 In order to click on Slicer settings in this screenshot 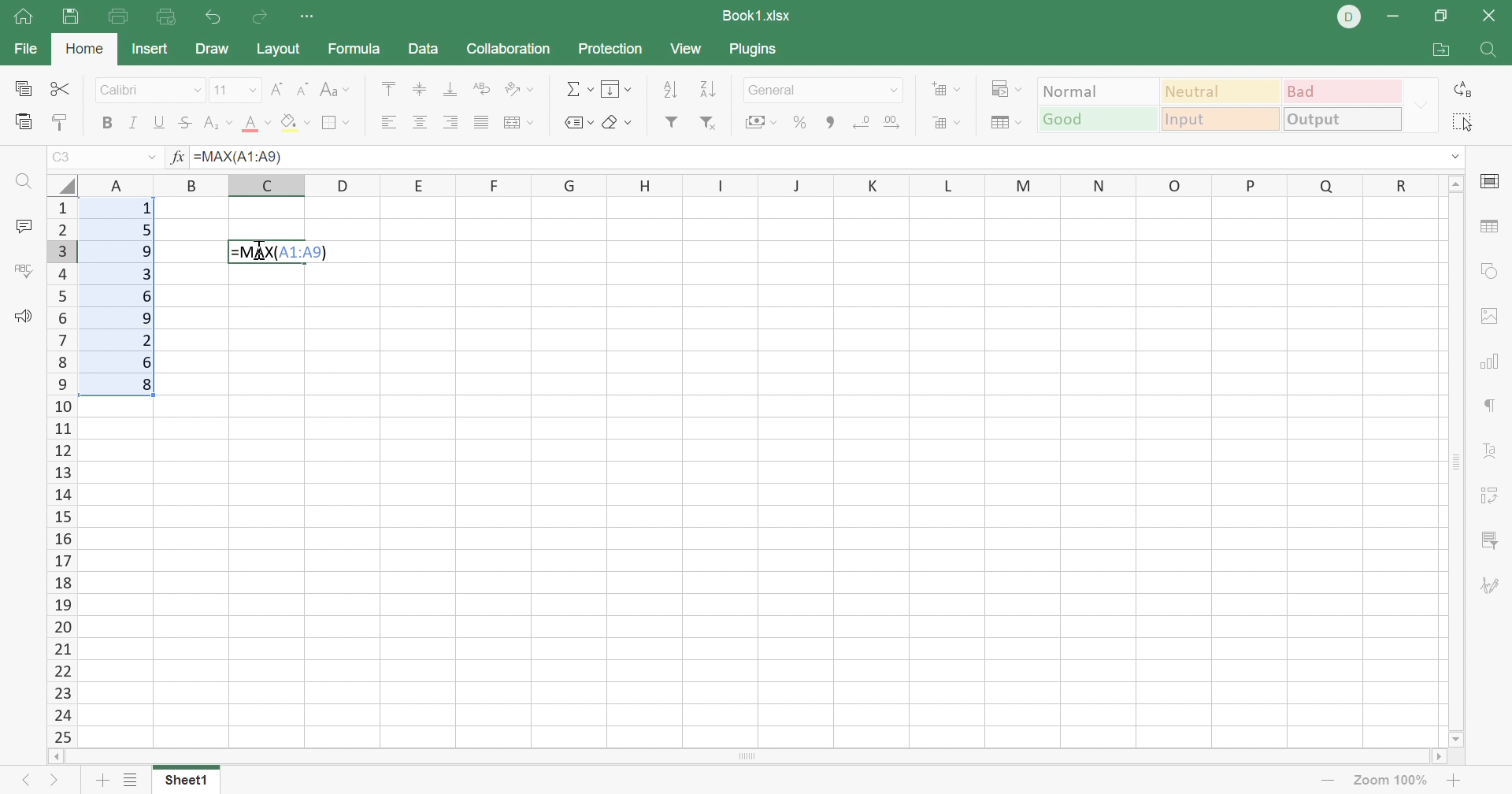, I will do `click(1486, 541)`.